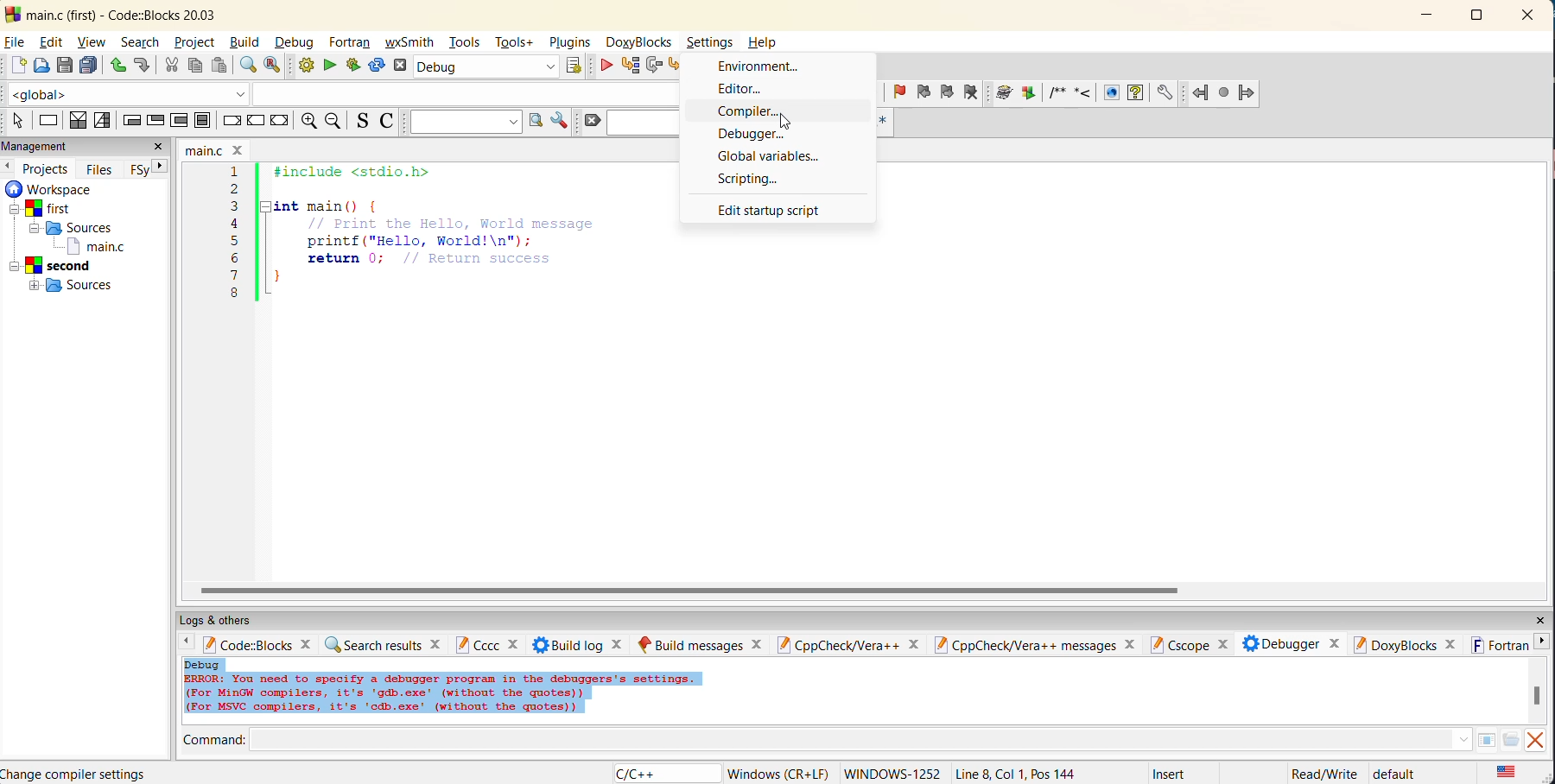  I want to click on debug, so click(296, 41).